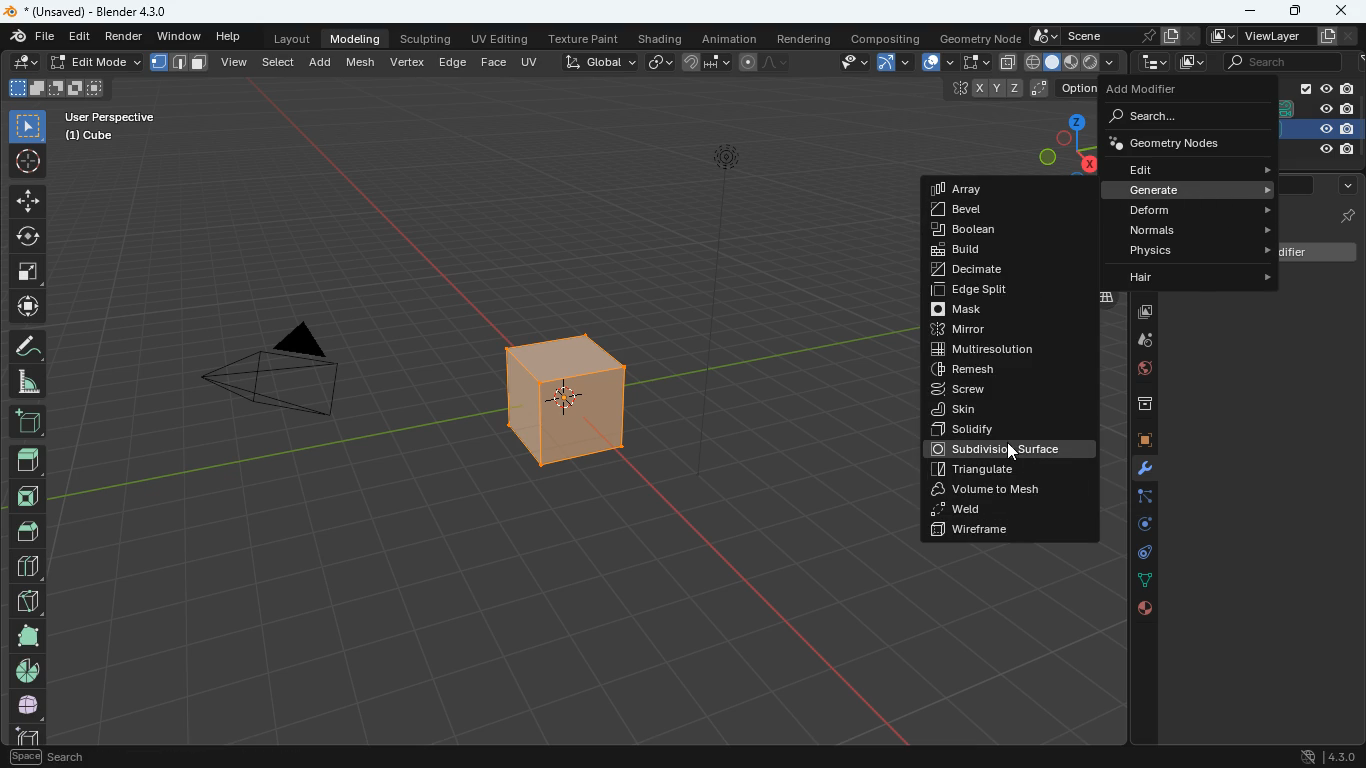  Describe the element at coordinates (1247, 10) in the screenshot. I see `minimize` at that location.